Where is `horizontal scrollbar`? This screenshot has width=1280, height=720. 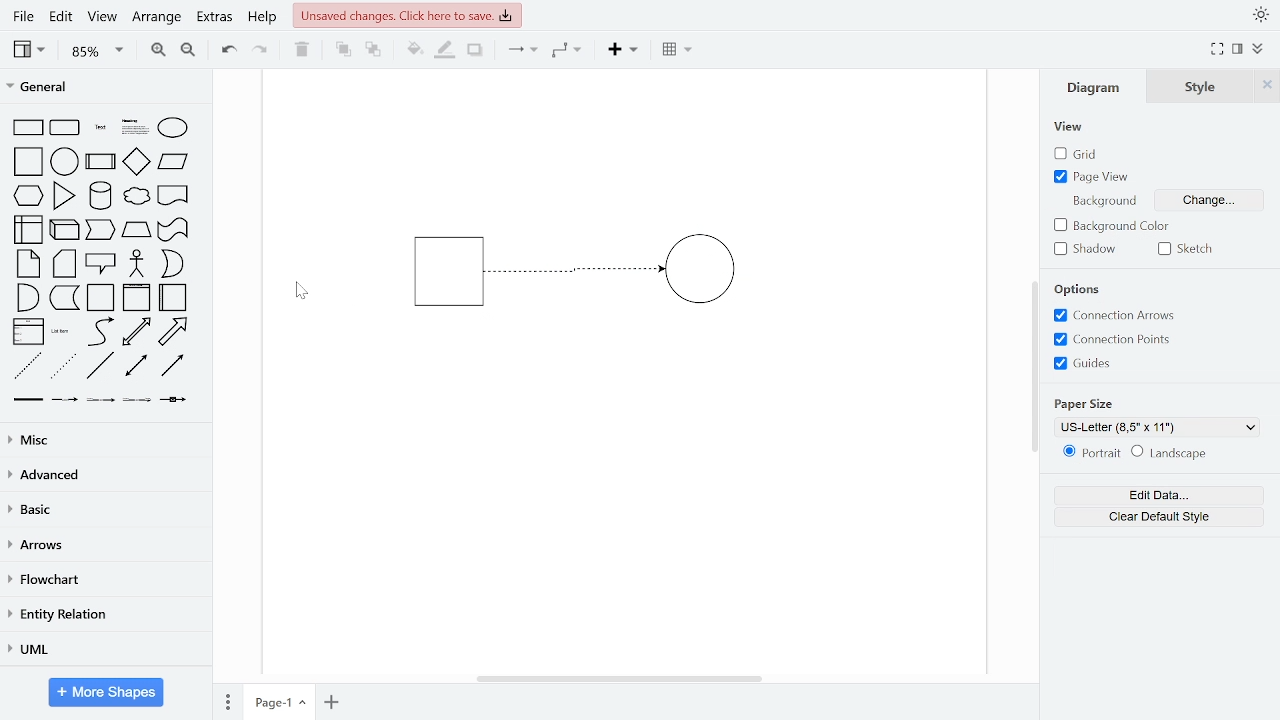
horizontal scrollbar is located at coordinates (622, 678).